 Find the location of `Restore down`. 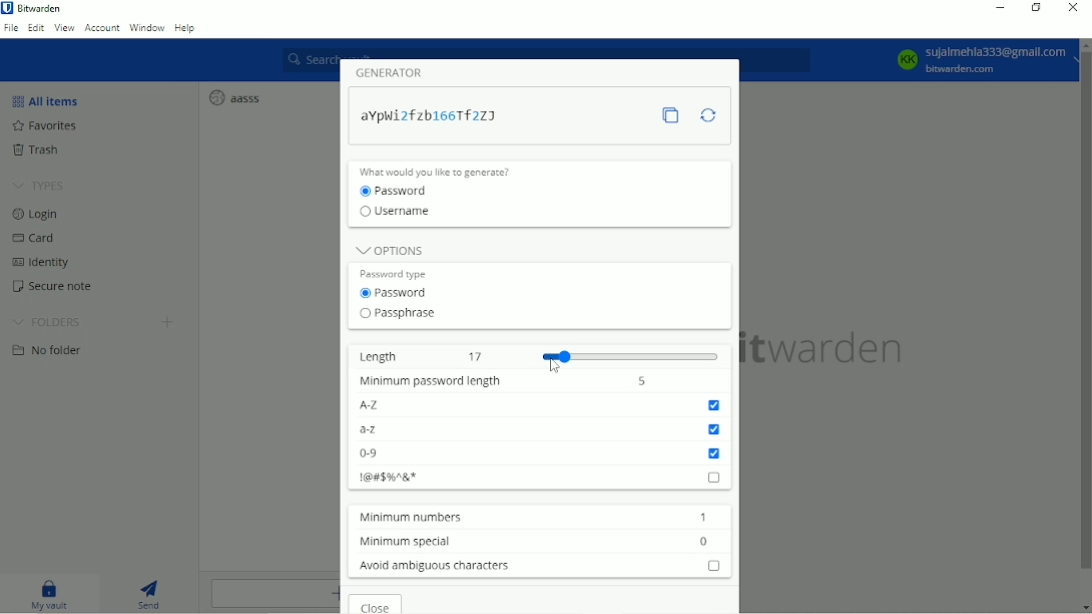

Restore down is located at coordinates (1036, 9).